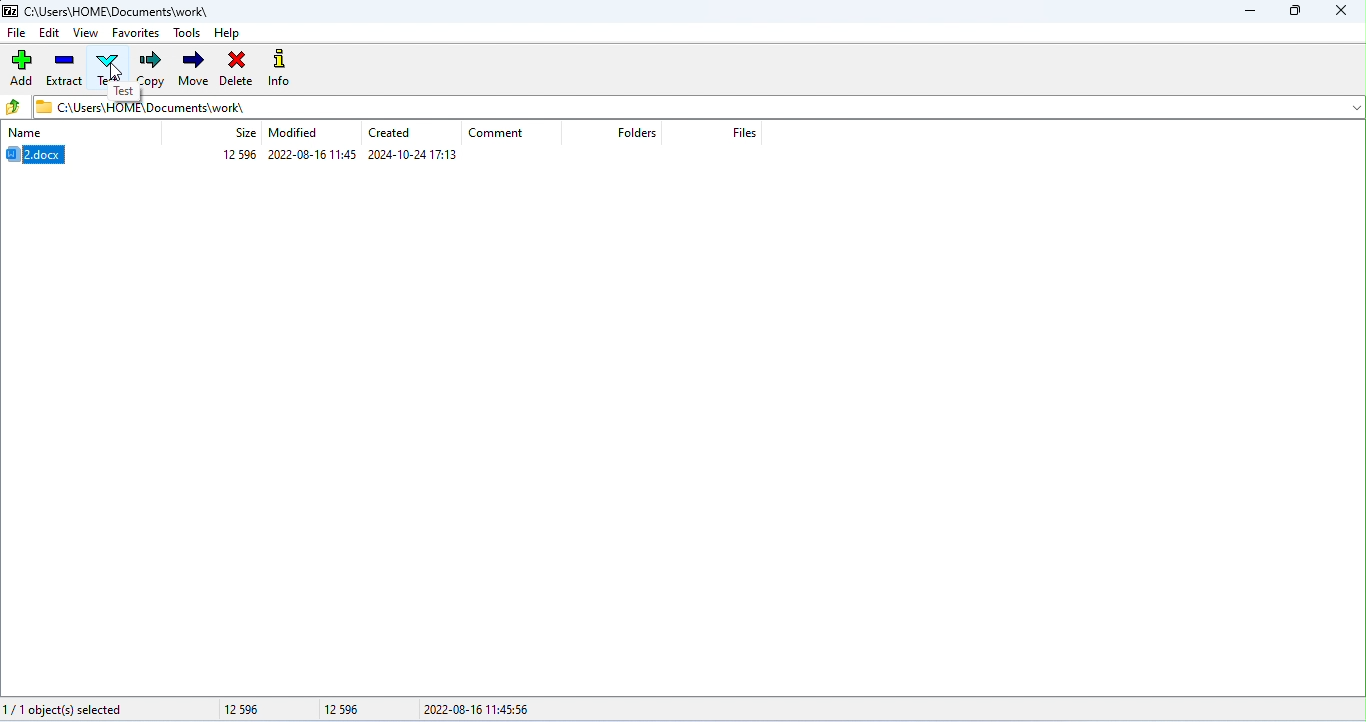  What do you see at coordinates (18, 32) in the screenshot?
I see `file` at bounding box center [18, 32].